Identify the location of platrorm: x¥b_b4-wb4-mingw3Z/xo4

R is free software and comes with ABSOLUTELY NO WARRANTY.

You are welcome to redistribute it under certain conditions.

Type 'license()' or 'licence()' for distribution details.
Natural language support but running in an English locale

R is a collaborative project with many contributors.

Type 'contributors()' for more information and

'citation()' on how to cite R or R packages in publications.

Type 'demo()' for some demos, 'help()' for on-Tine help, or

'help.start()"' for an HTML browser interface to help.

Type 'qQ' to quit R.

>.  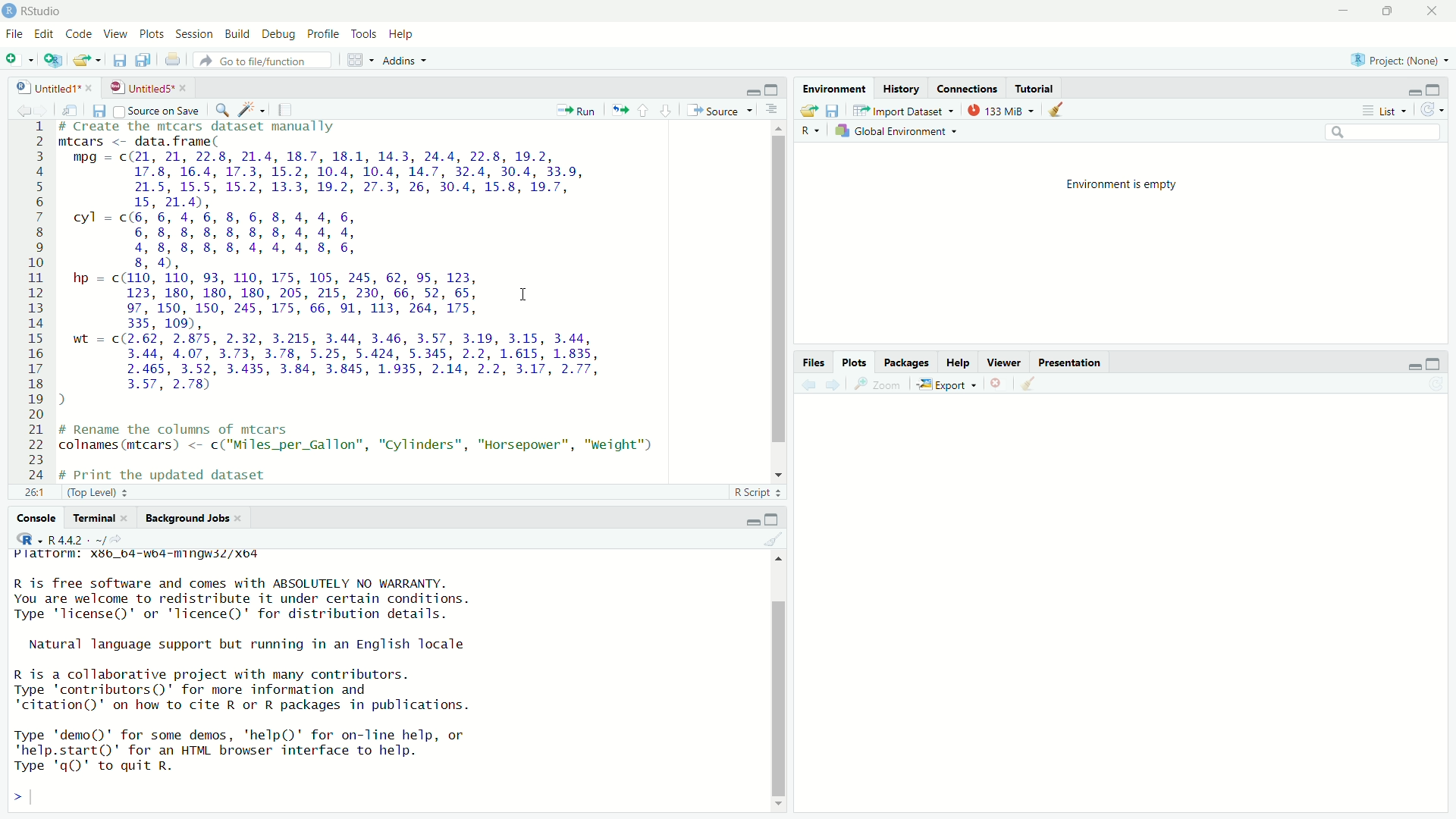
(291, 679).